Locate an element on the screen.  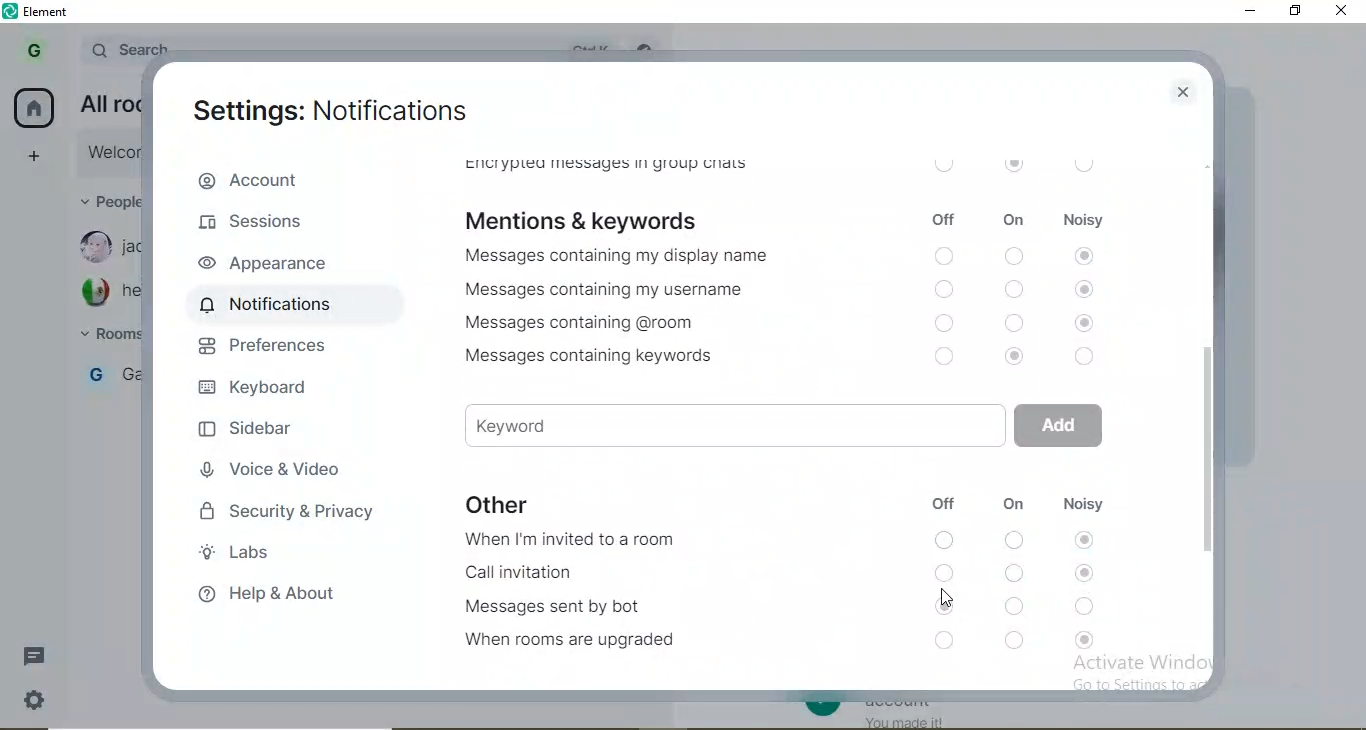
on is located at coordinates (1018, 502).